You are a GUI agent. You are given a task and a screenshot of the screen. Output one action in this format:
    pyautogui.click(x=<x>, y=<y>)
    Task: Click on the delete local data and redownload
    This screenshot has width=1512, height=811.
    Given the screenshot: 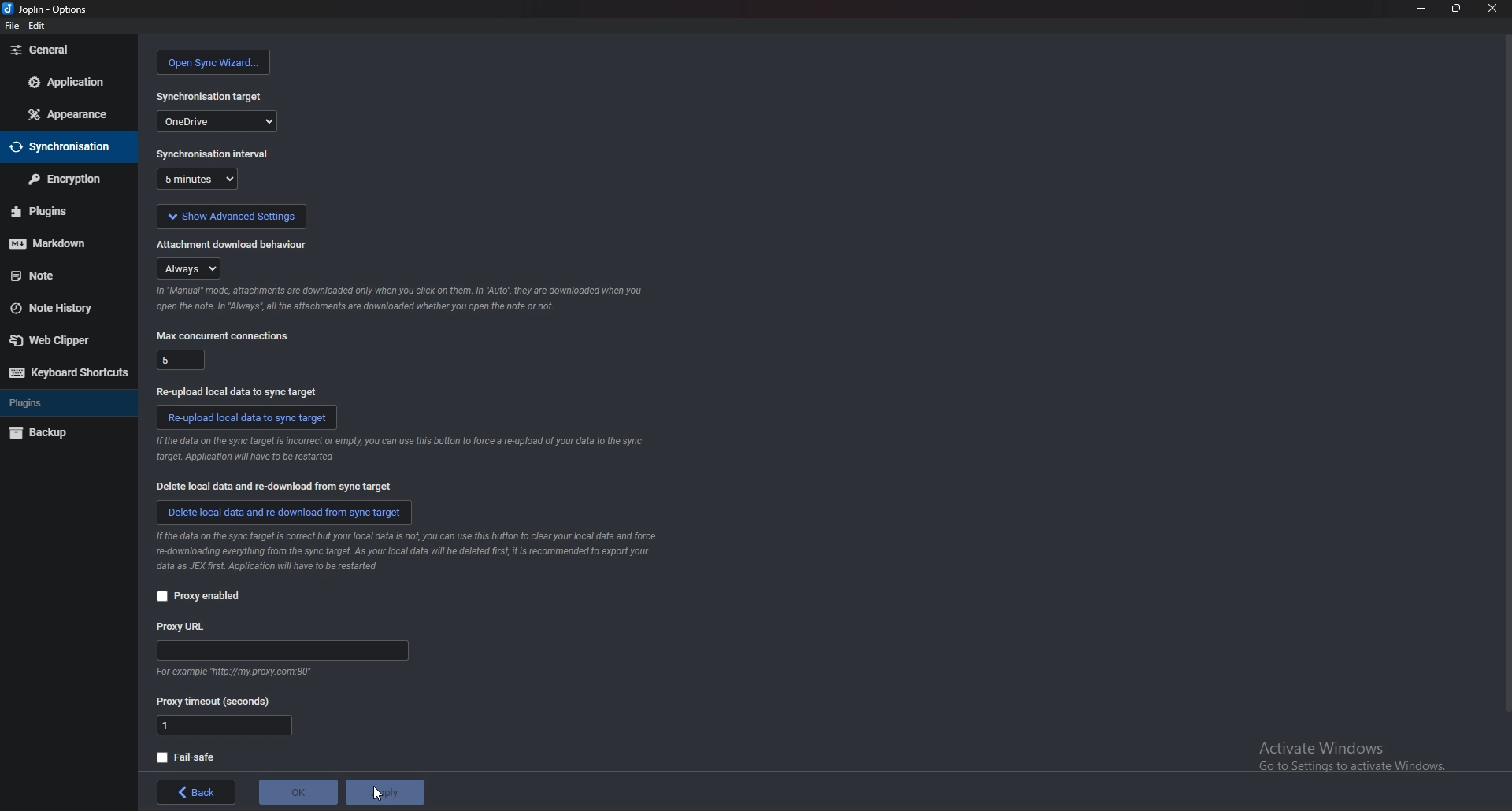 What is the action you would take?
    pyautogui.click(x=283, y=513)
    